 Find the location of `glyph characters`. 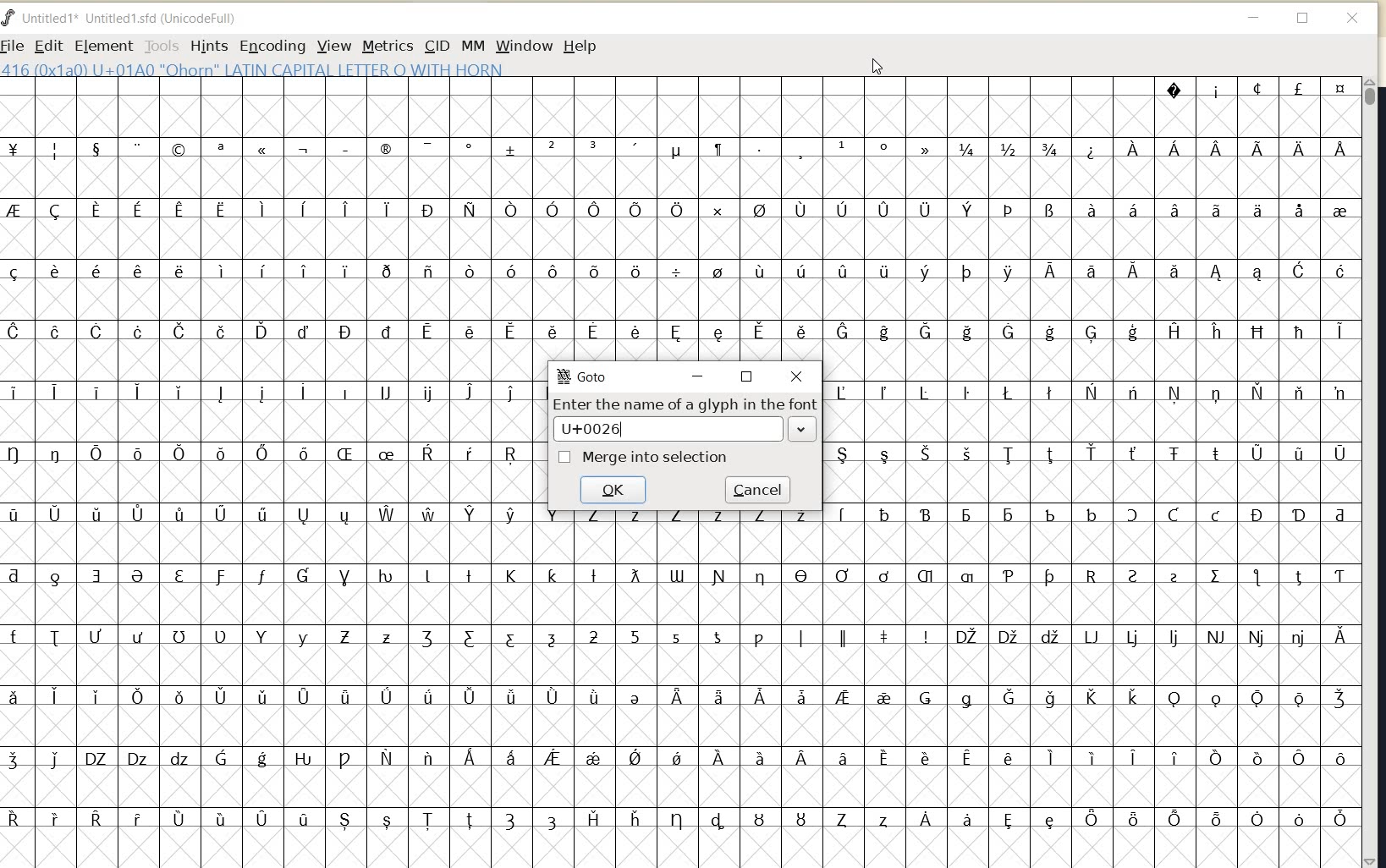

glyph characters is located at coordinates (1093, 612).